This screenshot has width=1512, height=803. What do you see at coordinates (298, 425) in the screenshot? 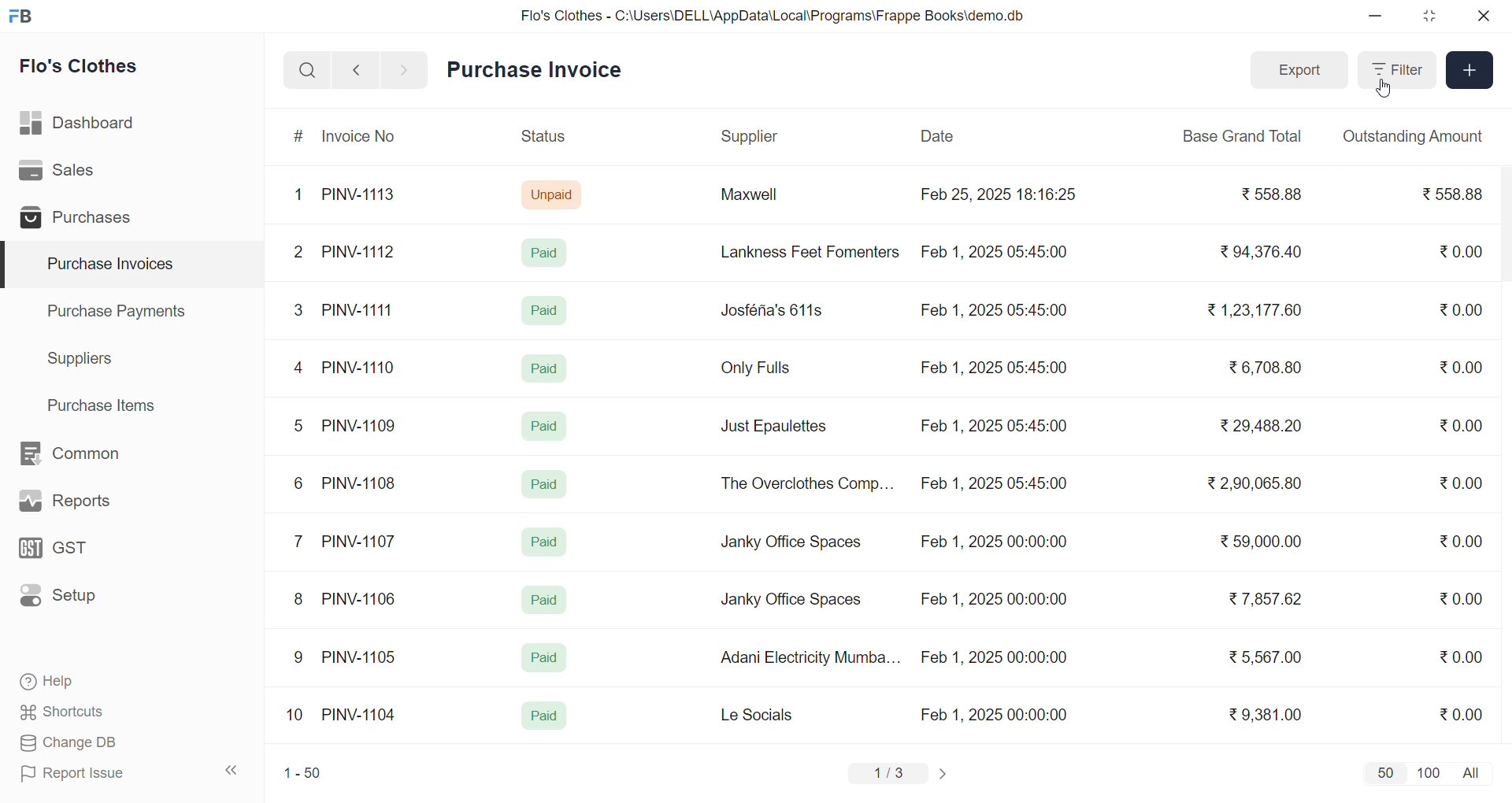
I see `5` at bounding box center [298, 425].